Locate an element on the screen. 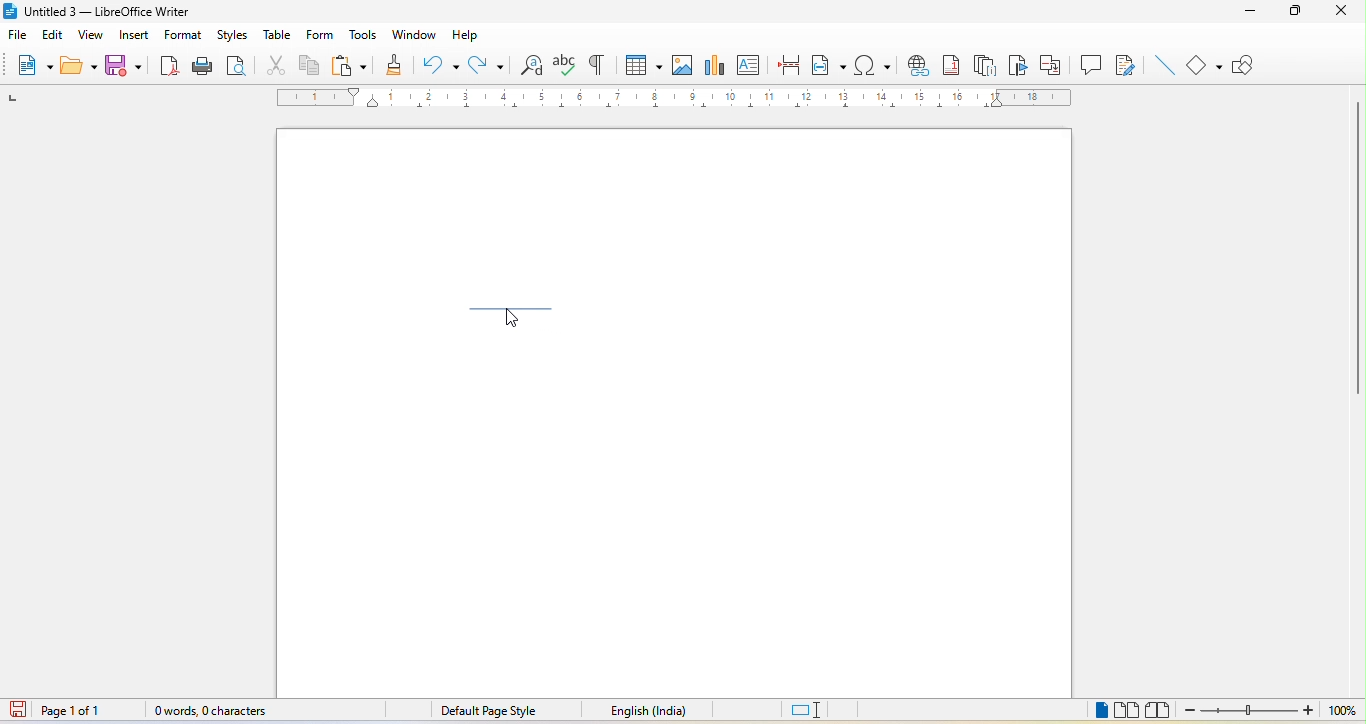  form is located at coordinates (319, 35).